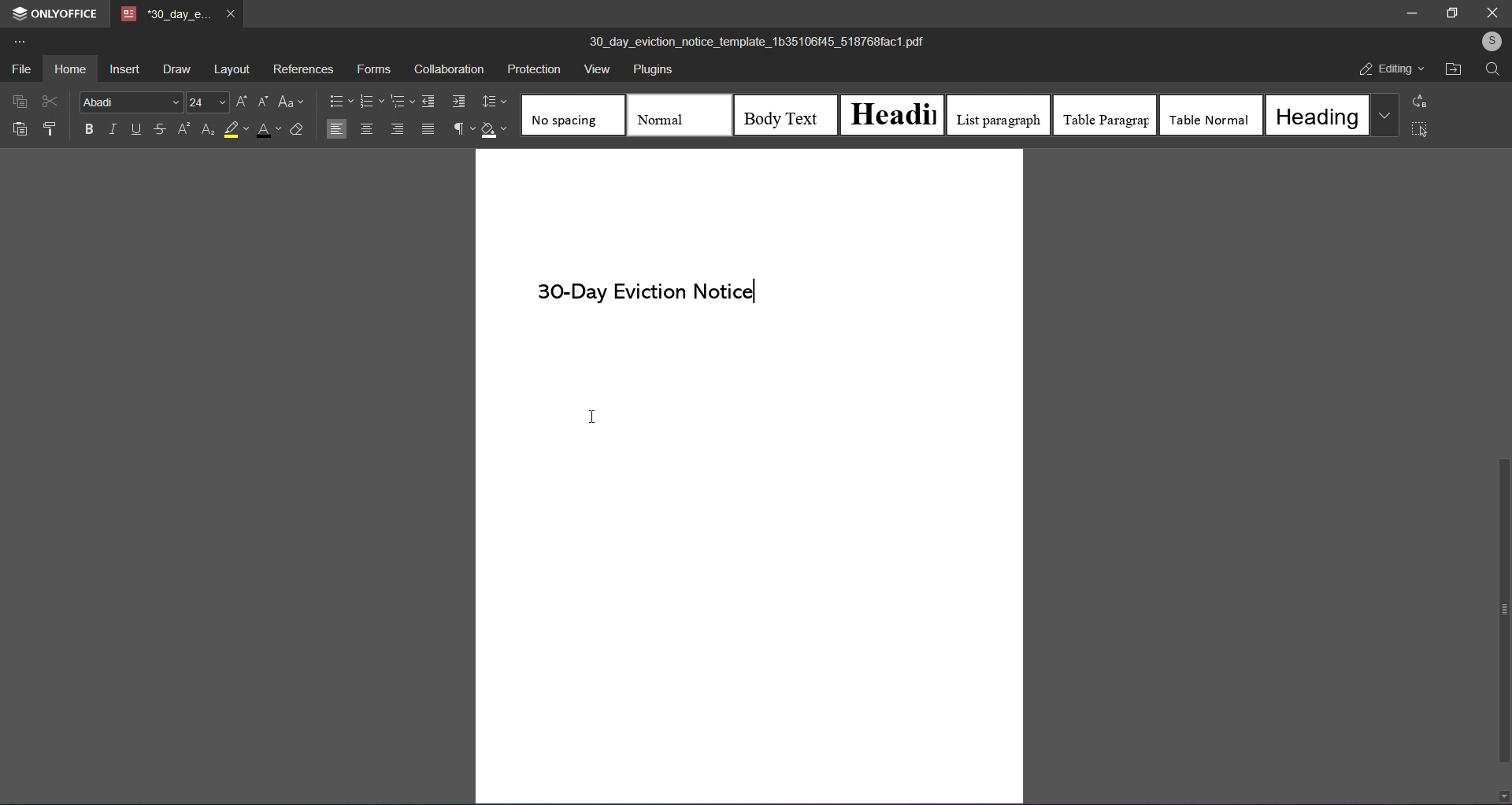 The width and height of the screenshot is (1512, 805). Describe the element at coordinates (572, 117) in the screenshot. I see `no spacing` at that location.